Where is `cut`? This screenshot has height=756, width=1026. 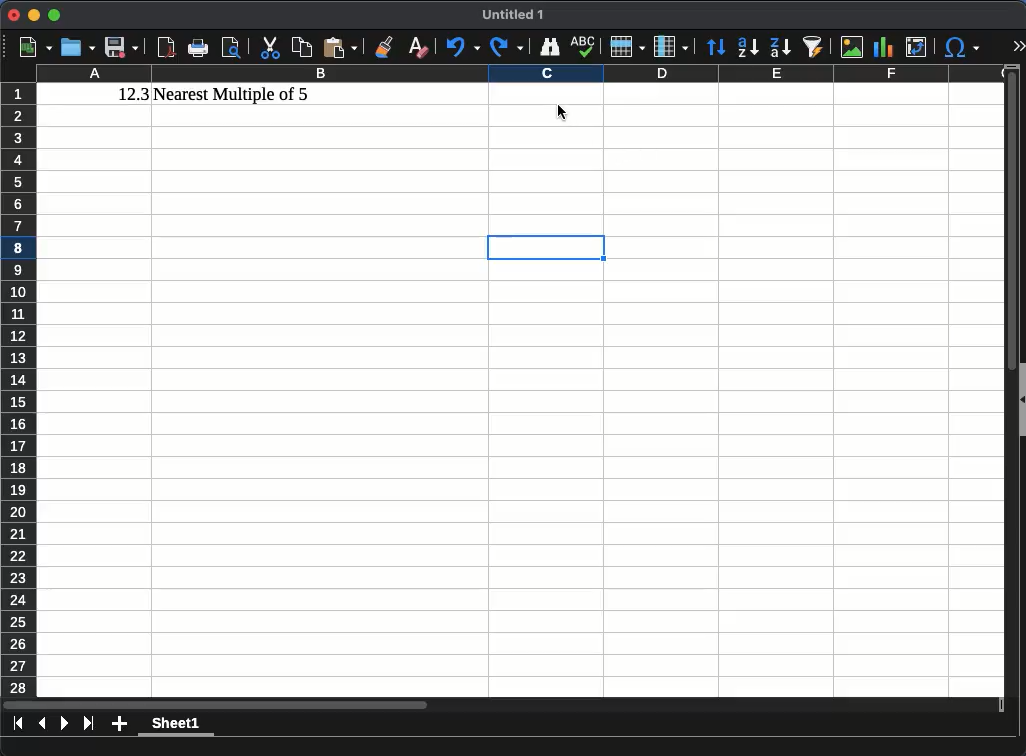
cut is located at coordinates (270, 47).